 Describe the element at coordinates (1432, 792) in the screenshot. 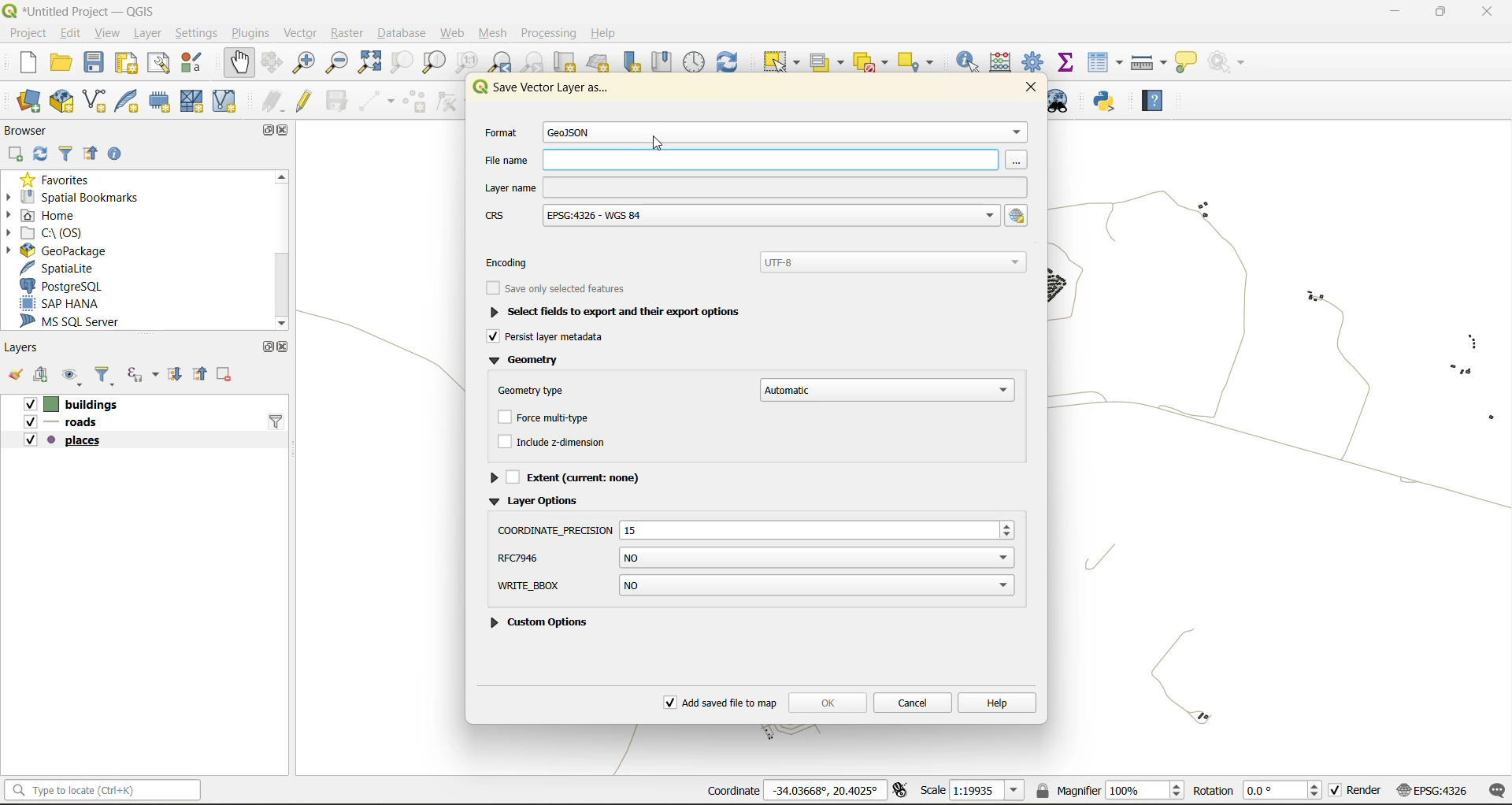

I see `crs` at that location.